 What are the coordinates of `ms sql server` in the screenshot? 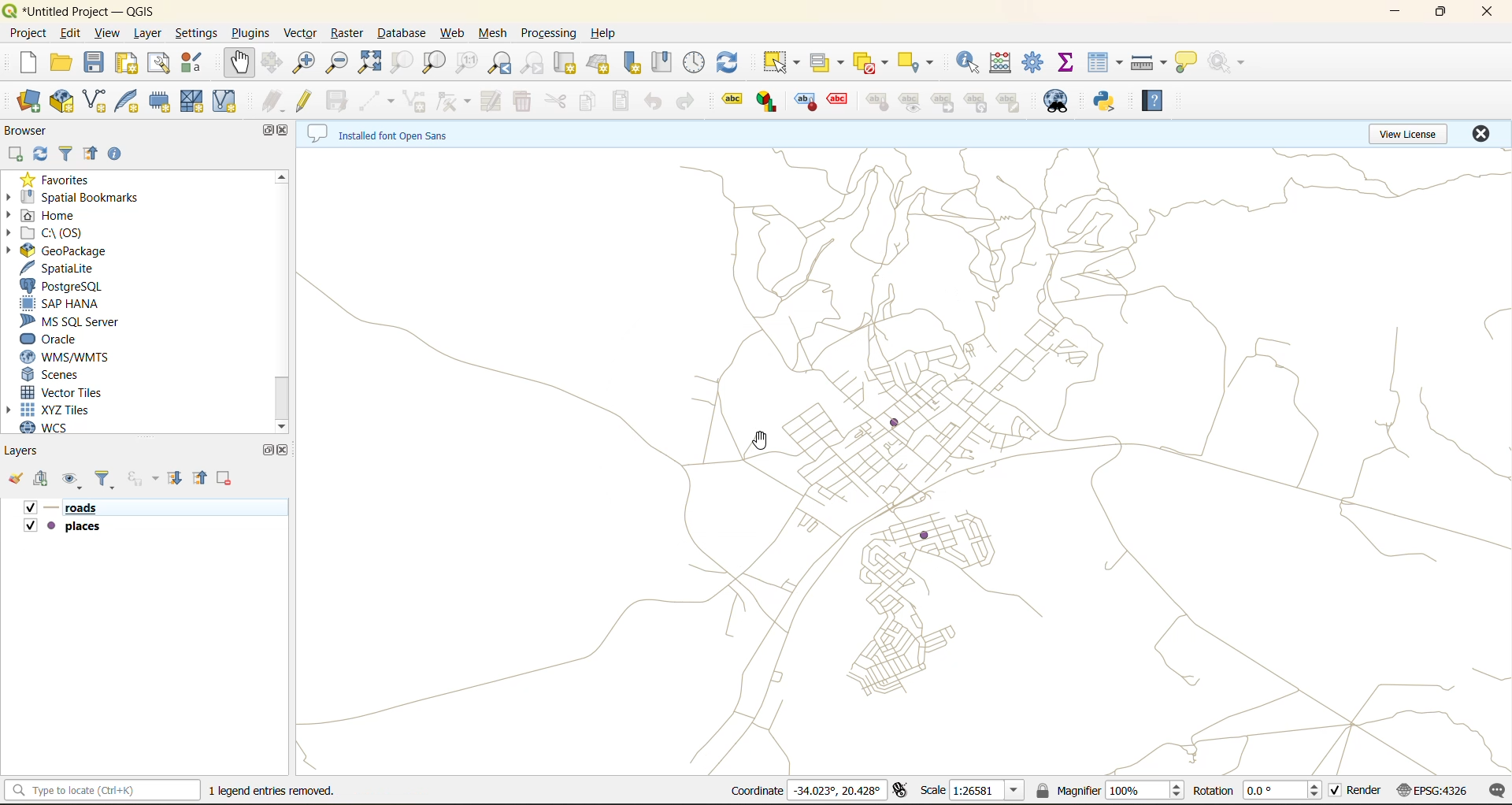 It's located at (83, 321).